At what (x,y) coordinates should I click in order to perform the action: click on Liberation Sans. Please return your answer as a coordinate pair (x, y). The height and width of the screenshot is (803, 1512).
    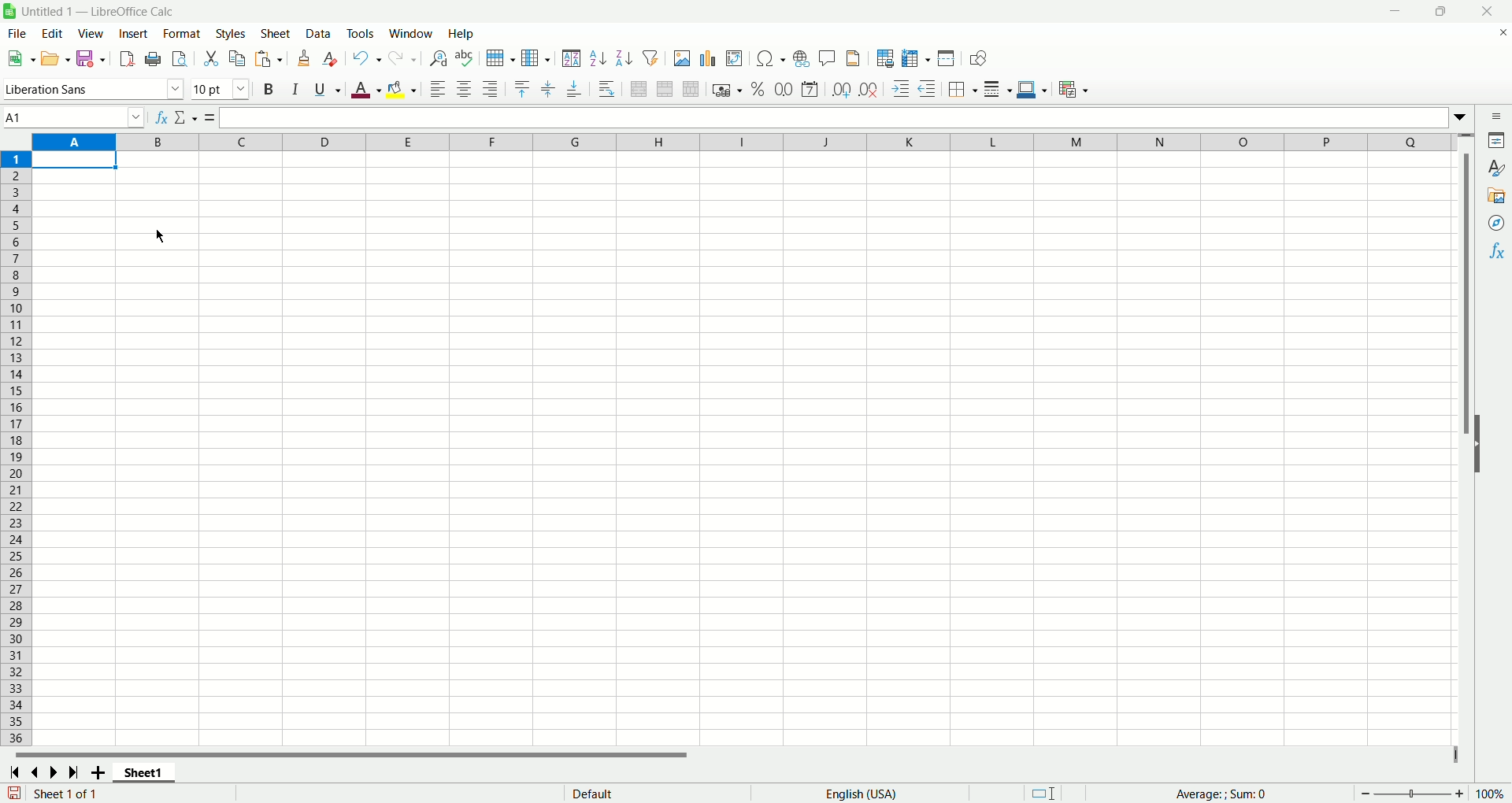
    Looking at the image, I should click on (94, 91).